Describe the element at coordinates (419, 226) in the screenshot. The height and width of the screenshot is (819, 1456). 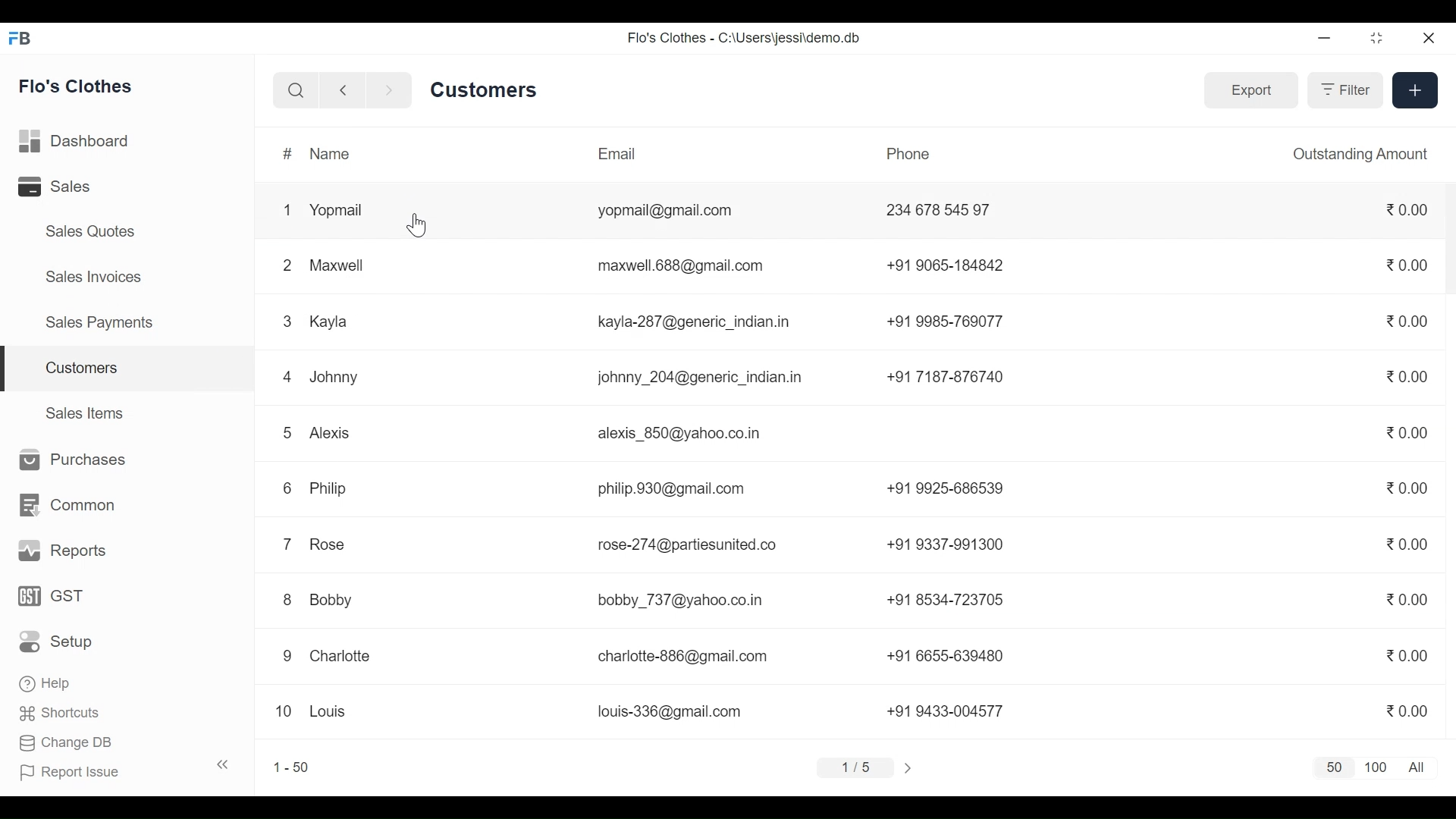
I see `Cursor` at that location.